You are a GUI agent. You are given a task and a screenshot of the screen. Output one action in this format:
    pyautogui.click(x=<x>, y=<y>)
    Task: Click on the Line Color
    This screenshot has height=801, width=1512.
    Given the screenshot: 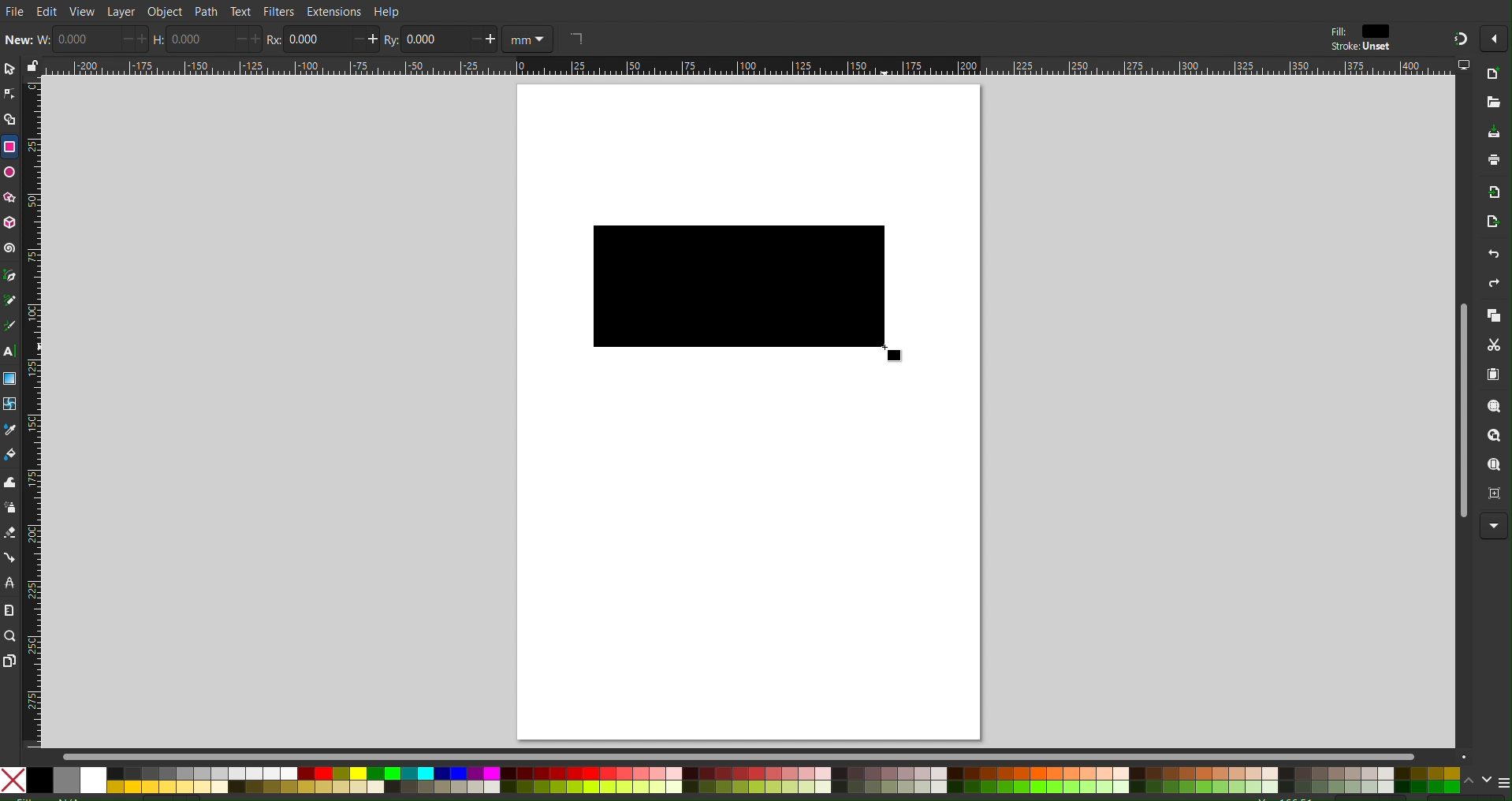 What is the action you would take?
    pyautogui.click(x=9, y=430)
    